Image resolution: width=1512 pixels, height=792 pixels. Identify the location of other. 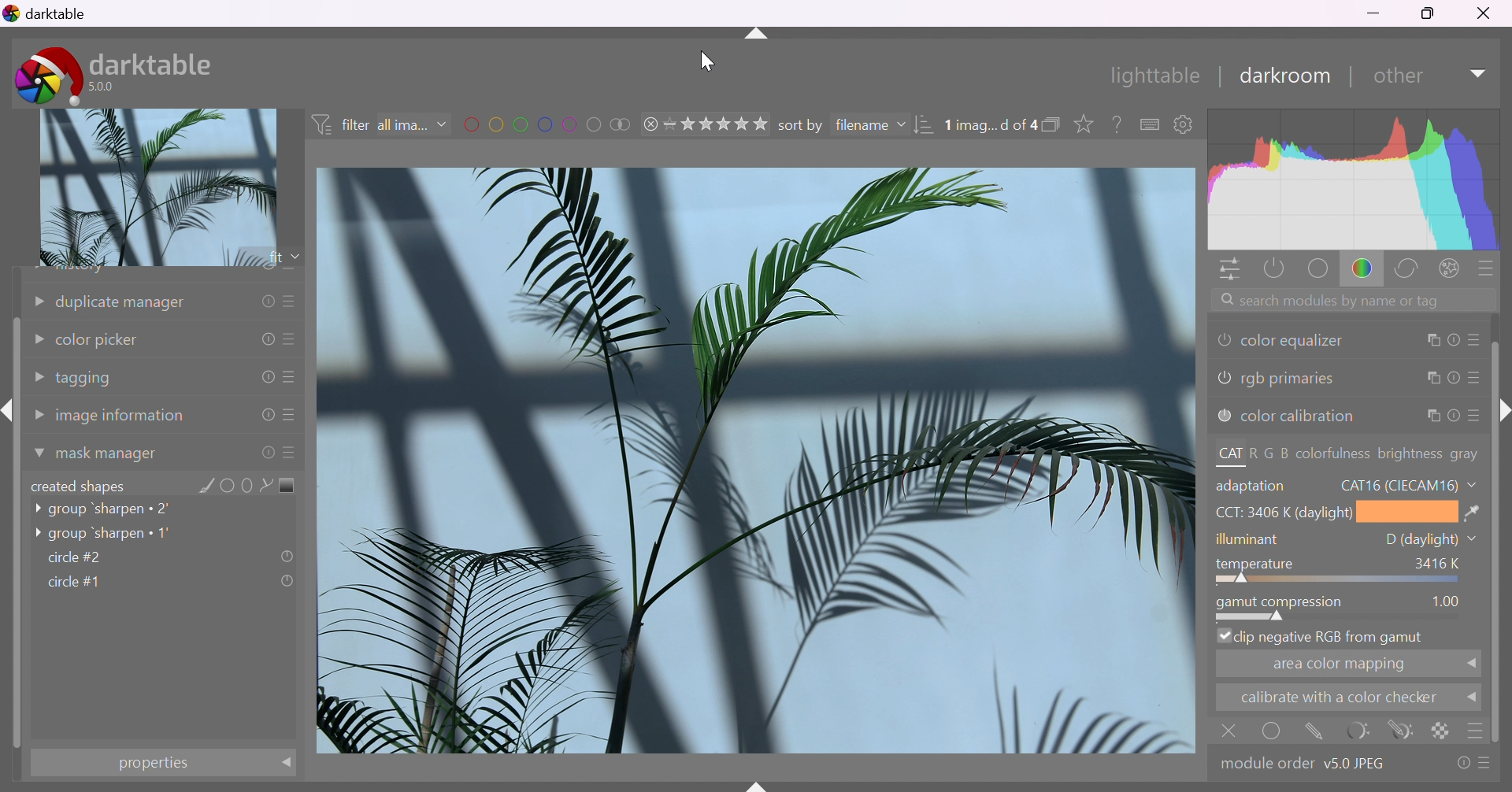
(1435, 76).